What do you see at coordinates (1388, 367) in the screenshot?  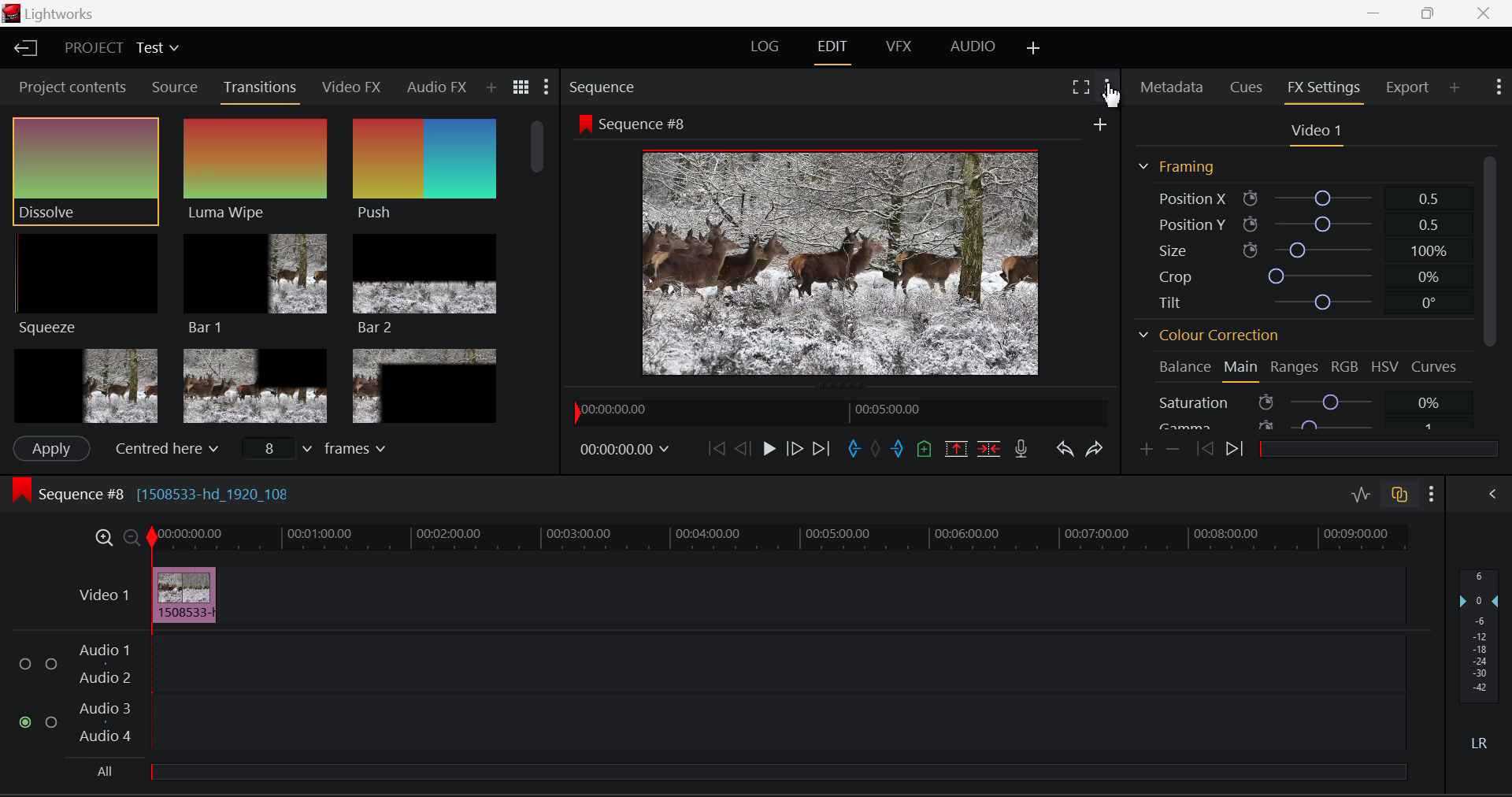 I see `HSV` at bounding box center [1388, 367].